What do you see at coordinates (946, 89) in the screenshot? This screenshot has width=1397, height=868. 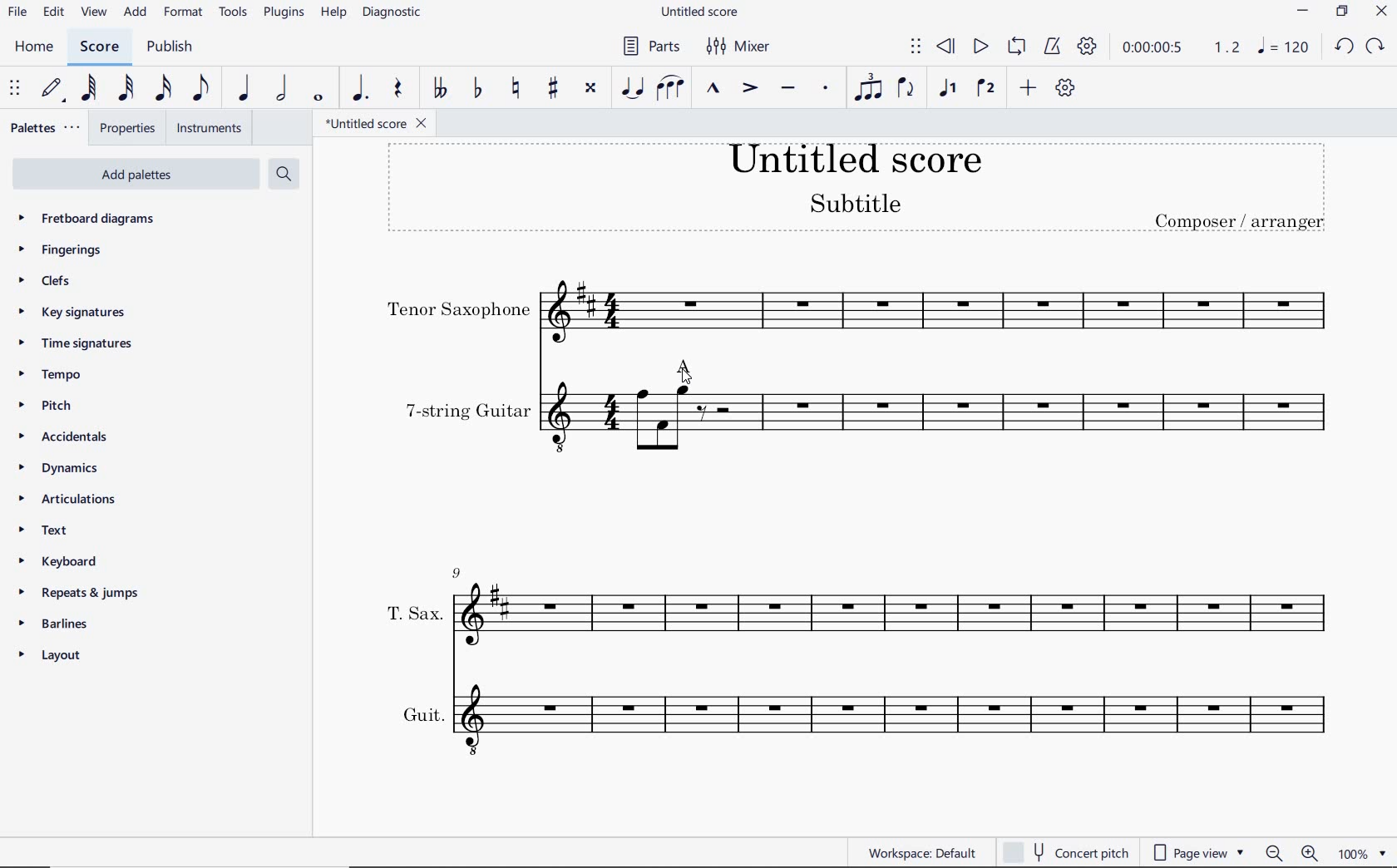 I see `VOICE 1` at bounding box center [946, 89].